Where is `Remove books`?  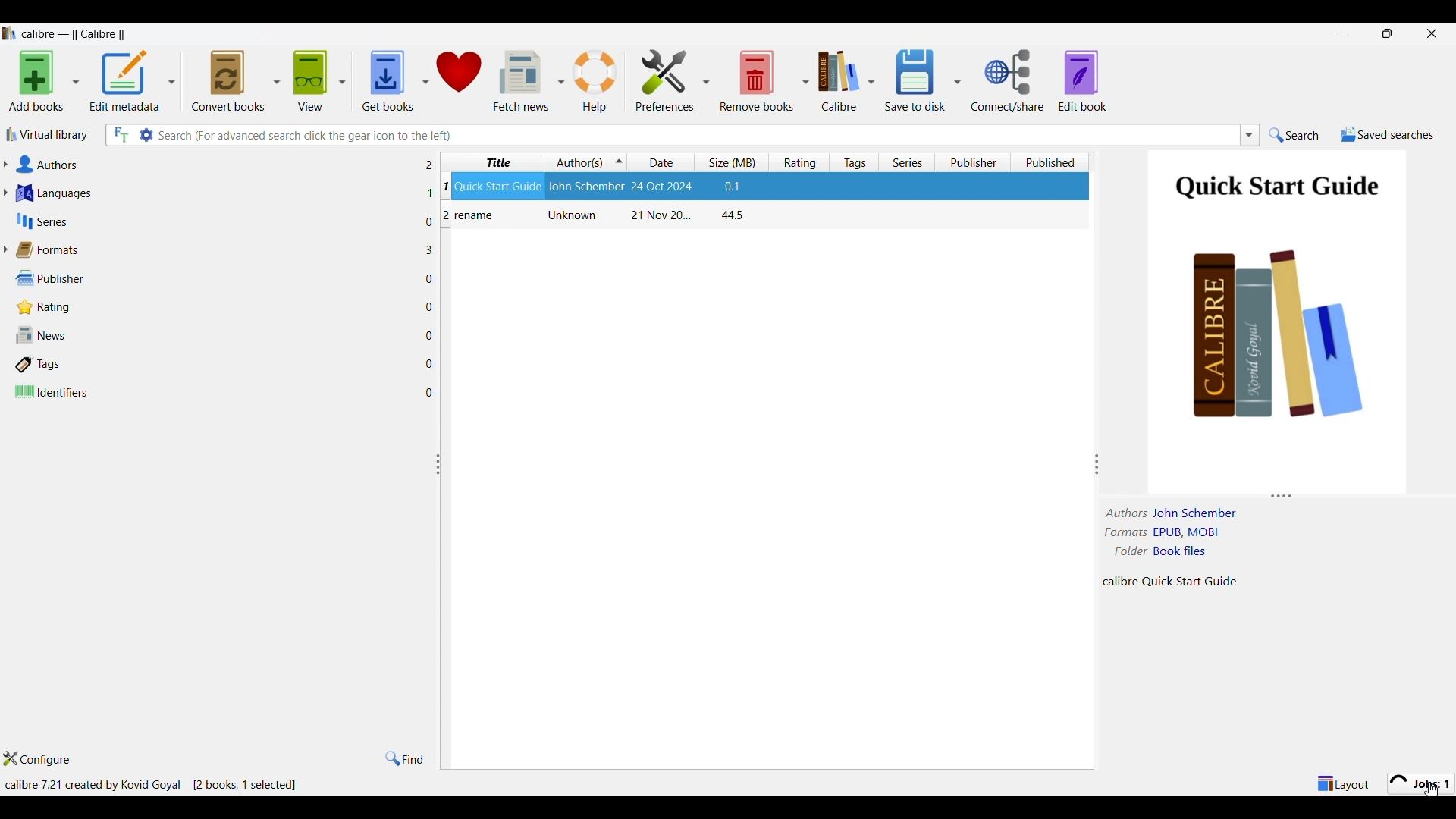
Remove books is located at coordinates (756, 80).